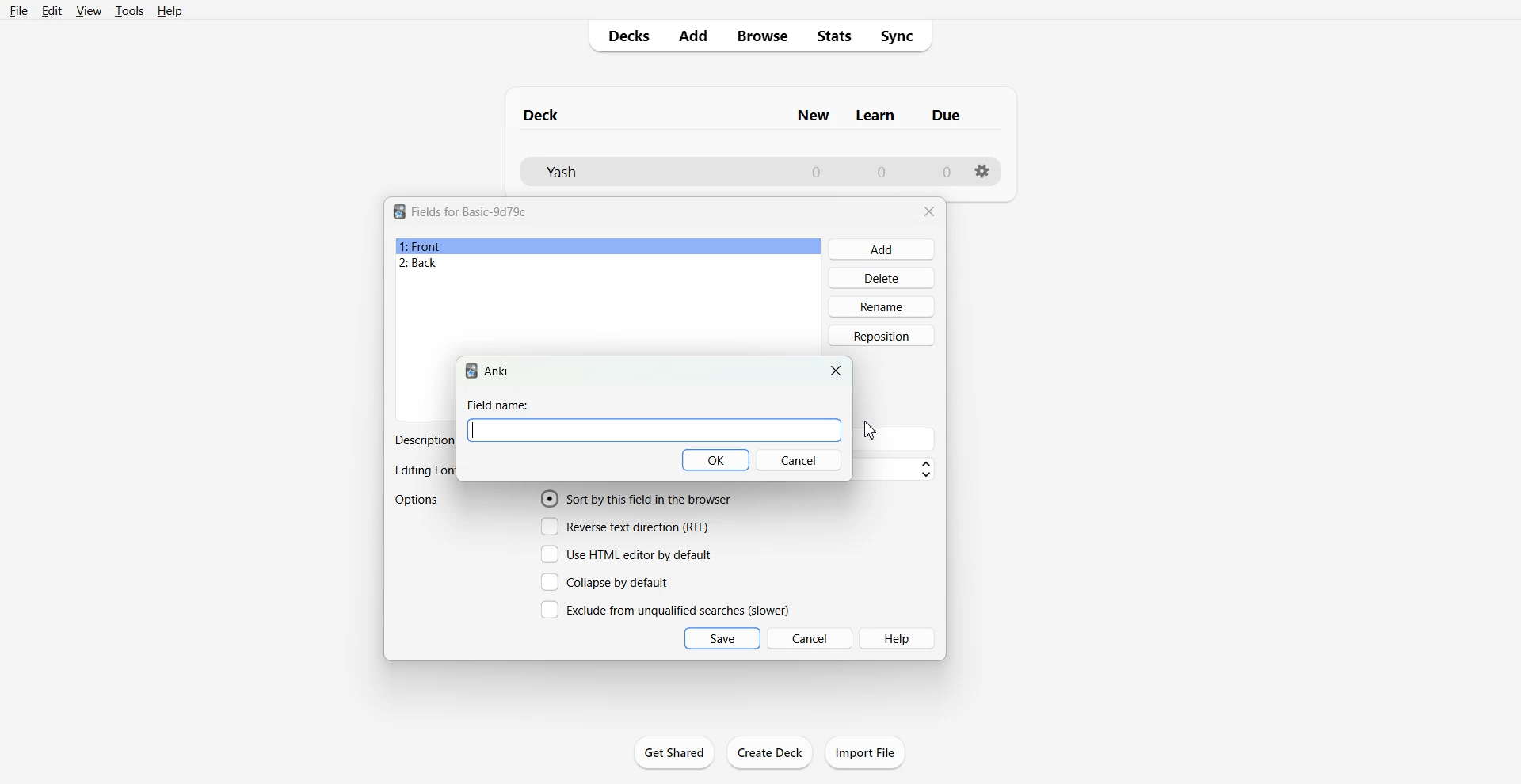 The height and width of the screenshot is (784, 1521). What do you see at coordinates (418, 500) in the screenshot?
I see `Options` at bounding box center [418, 500].